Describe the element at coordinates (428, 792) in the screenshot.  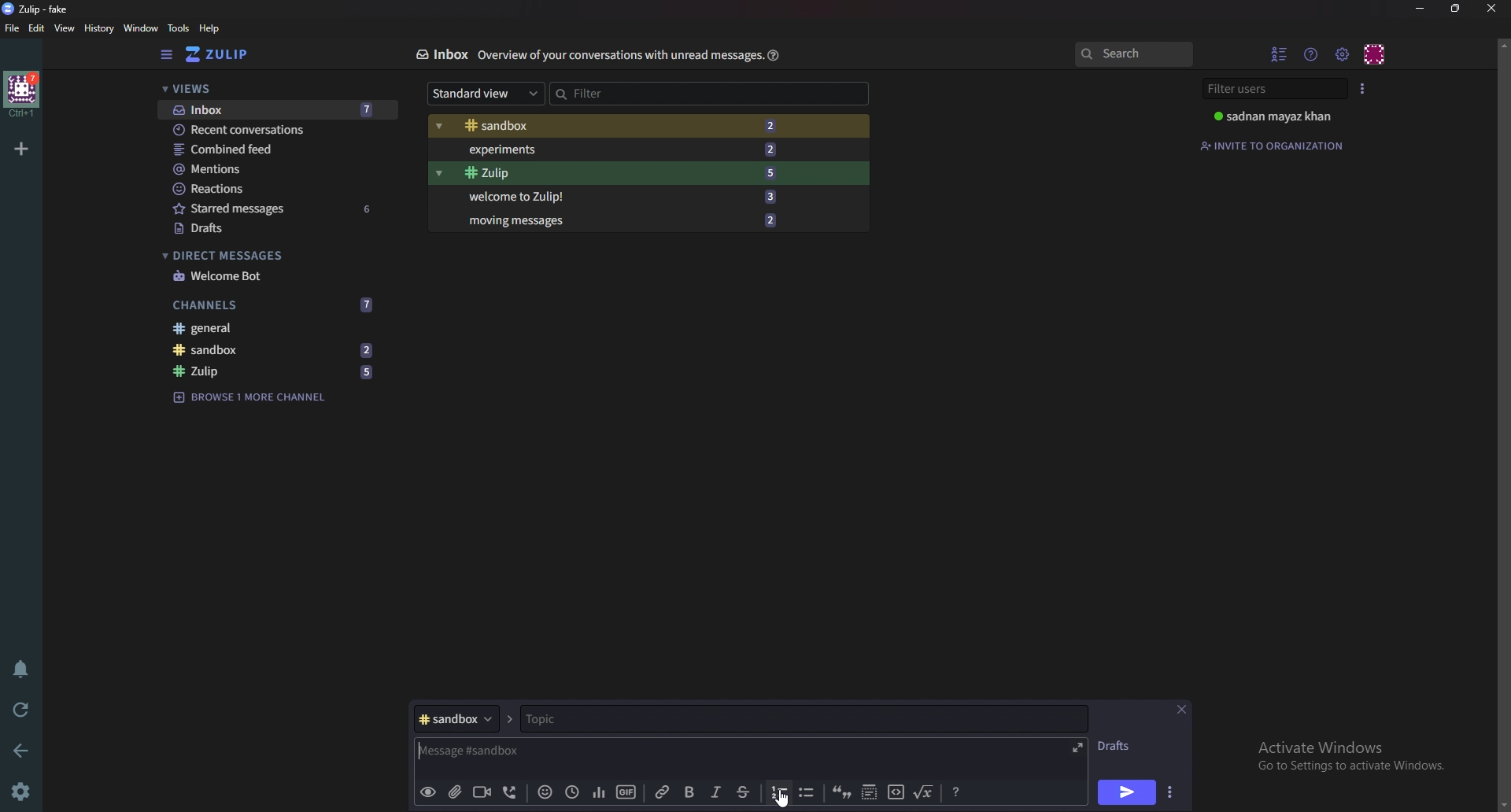
I see `Preview` at that location.